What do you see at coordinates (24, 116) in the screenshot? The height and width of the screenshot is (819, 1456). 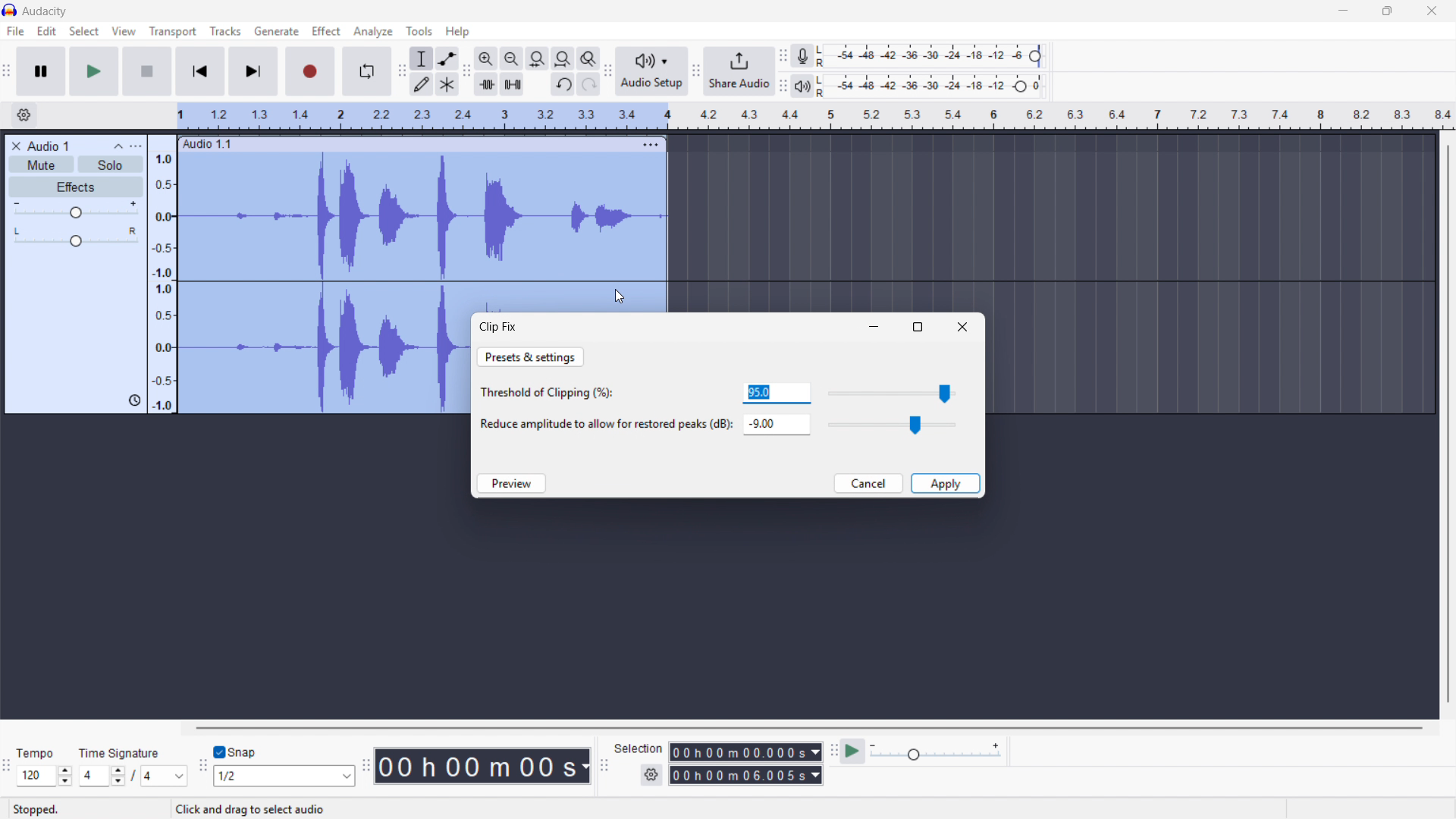 I see `Timeline settings ` at bounding box center [24, 116].